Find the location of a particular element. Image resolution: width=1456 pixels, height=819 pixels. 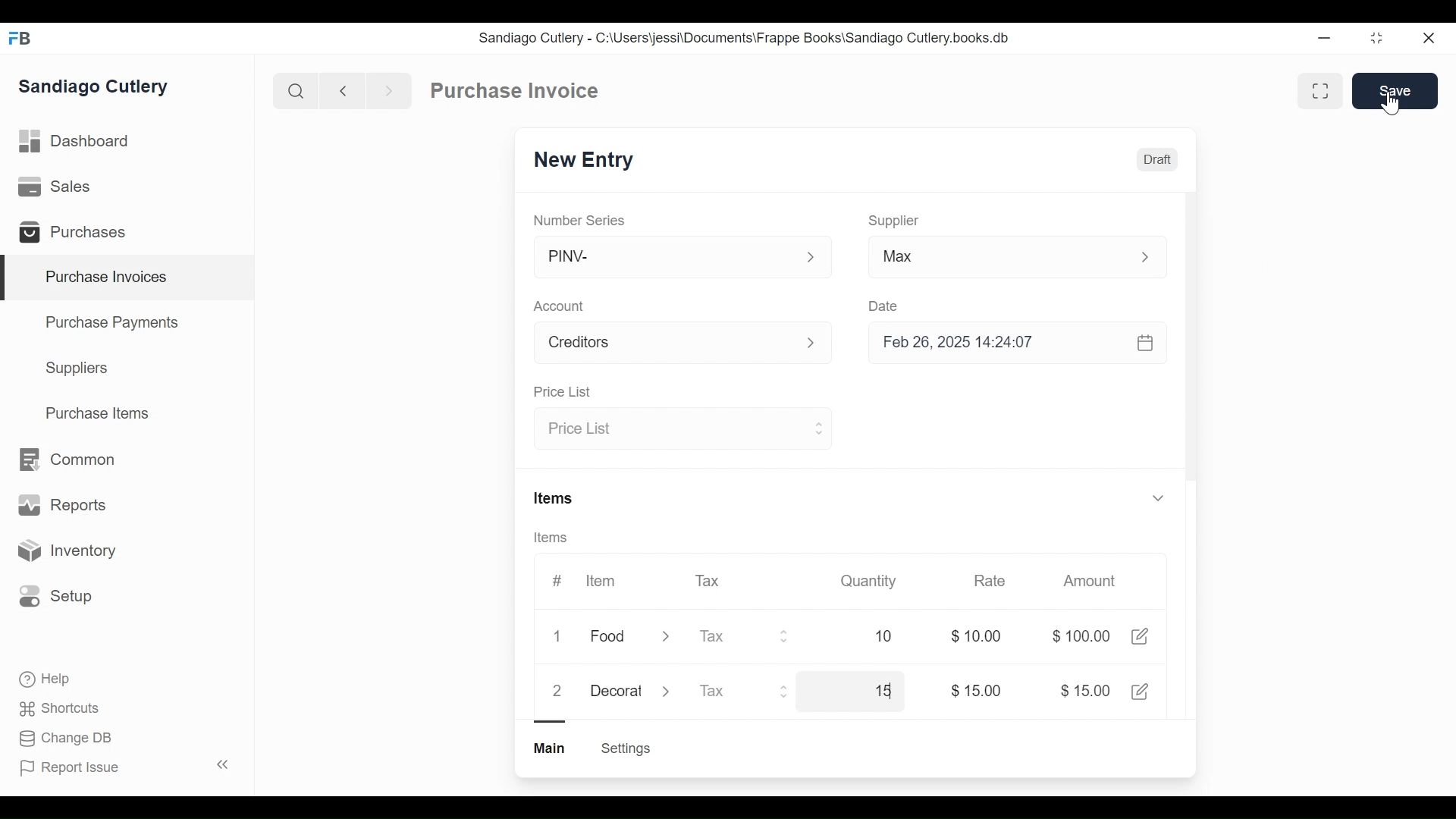

Change DB is located at coordinates (68, 739).